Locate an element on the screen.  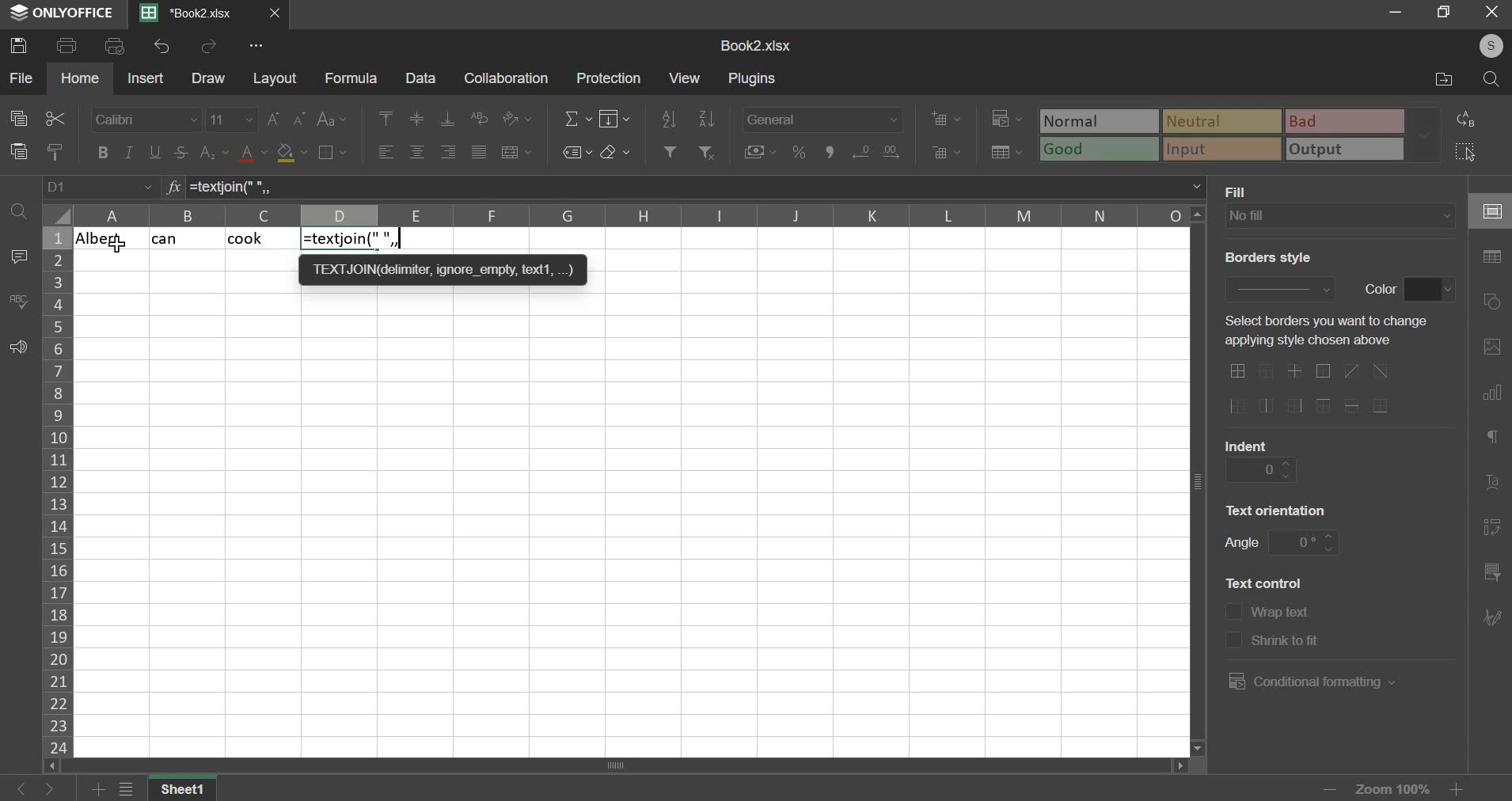
plugins is located at coordinates (754, 79).